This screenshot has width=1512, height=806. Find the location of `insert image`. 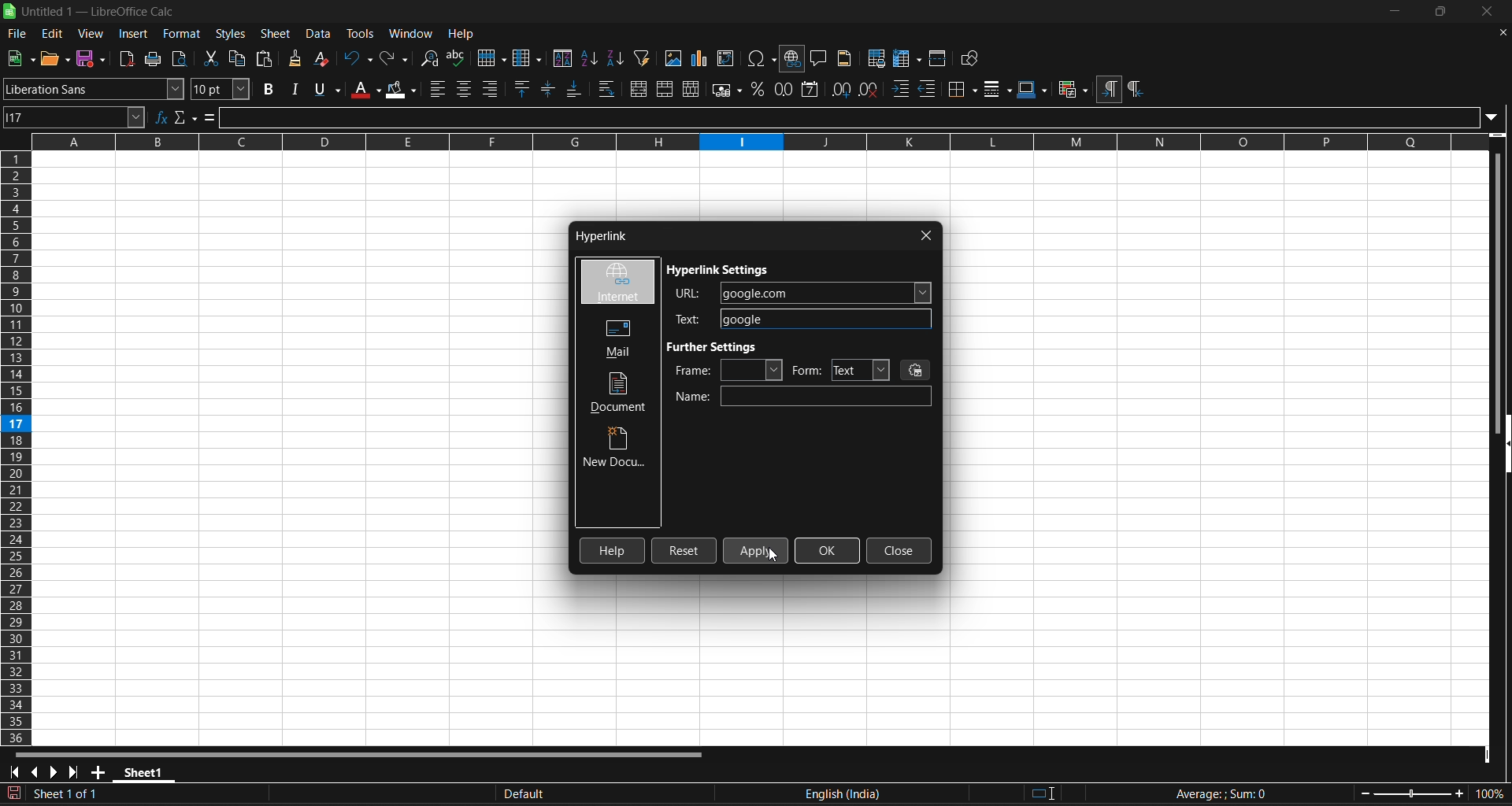

insert image is located at coordinates (674, 58).